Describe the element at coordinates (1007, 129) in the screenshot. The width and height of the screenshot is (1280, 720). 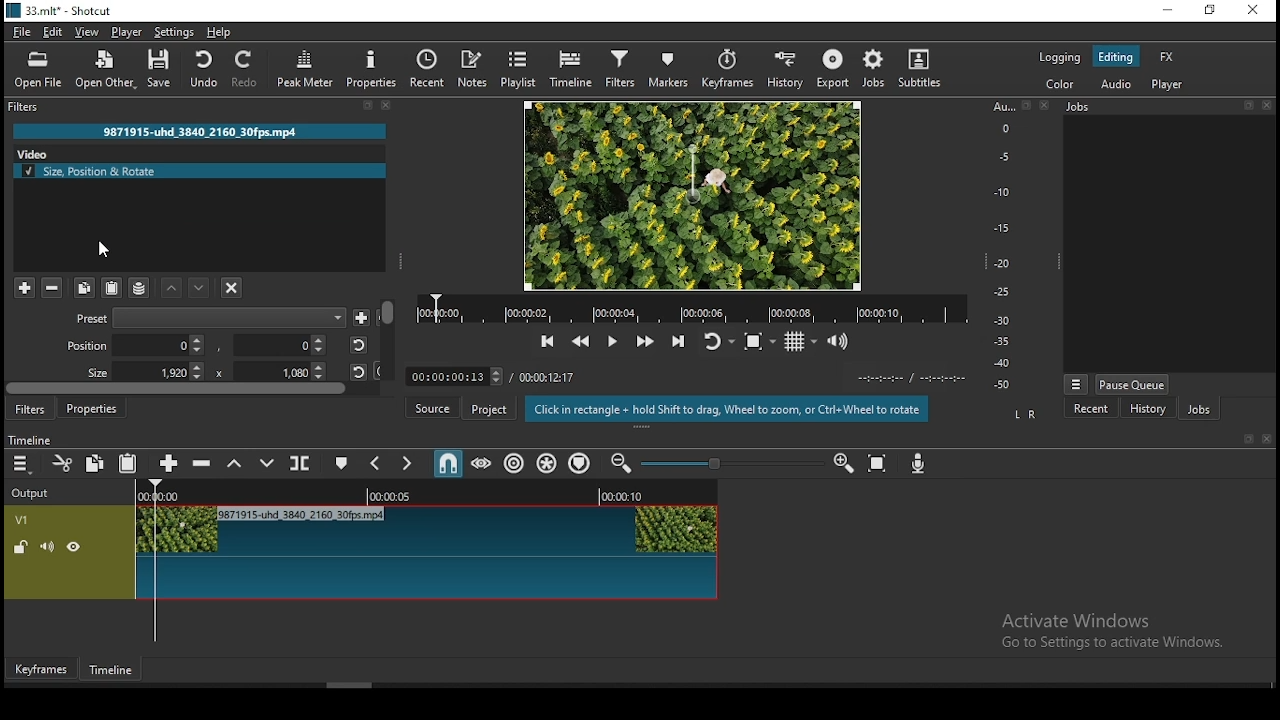
I see `0` at that location.